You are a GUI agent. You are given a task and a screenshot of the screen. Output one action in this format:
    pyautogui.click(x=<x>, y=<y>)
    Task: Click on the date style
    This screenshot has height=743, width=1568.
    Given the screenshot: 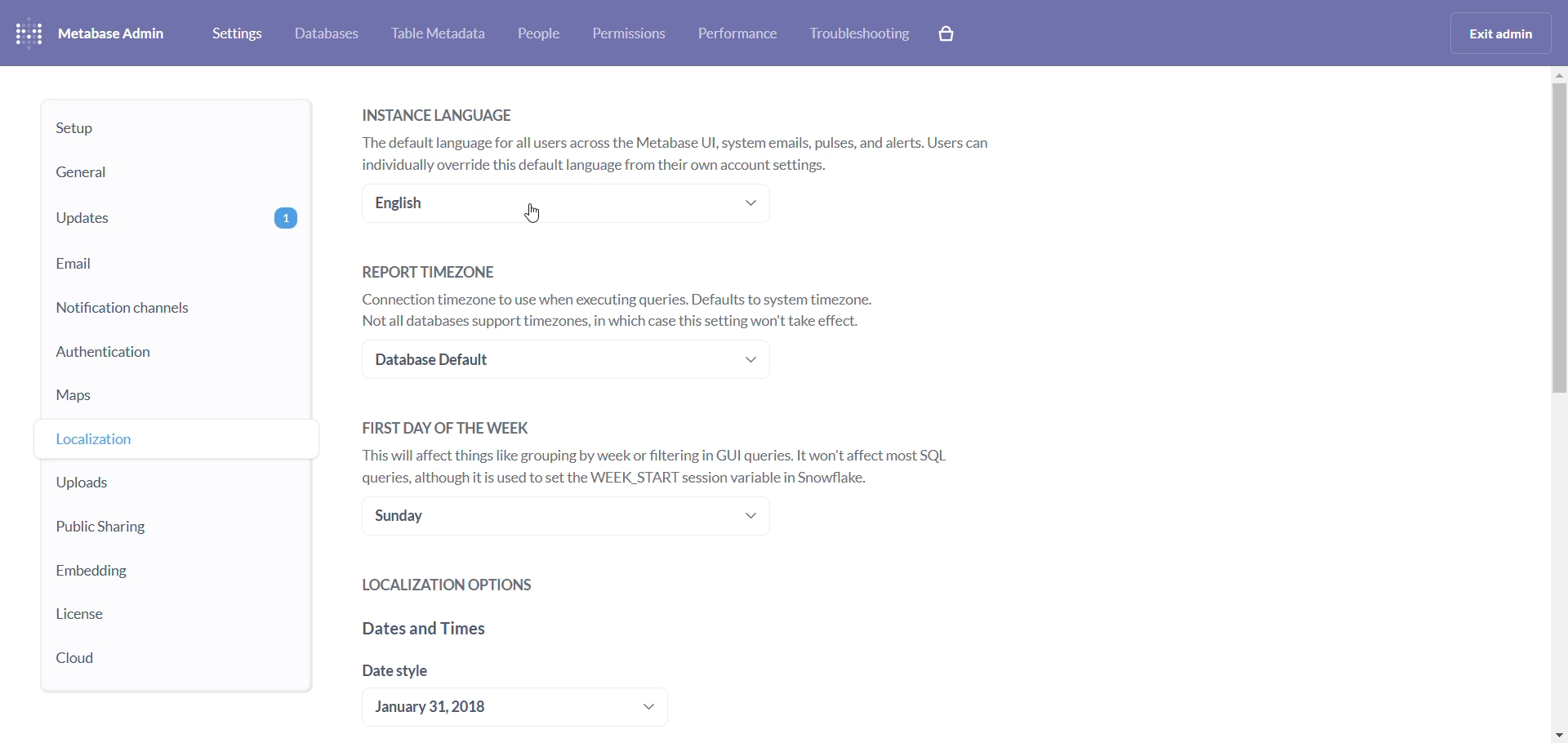 What is the action you would take?
    pyautogui.click(x=455, y=672)
    